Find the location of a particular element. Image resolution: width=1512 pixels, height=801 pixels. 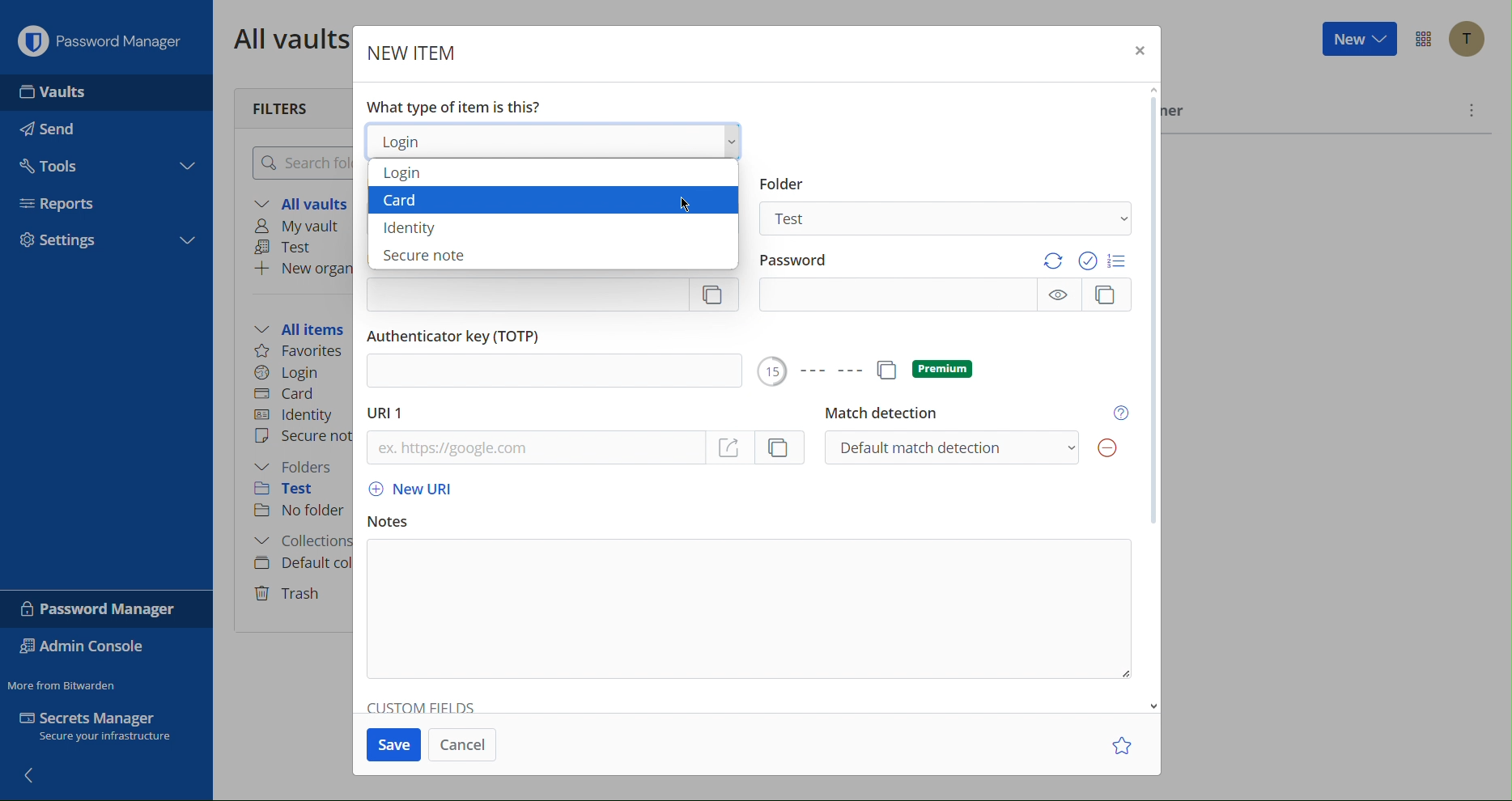

Card is located at coordinates (293, 396).